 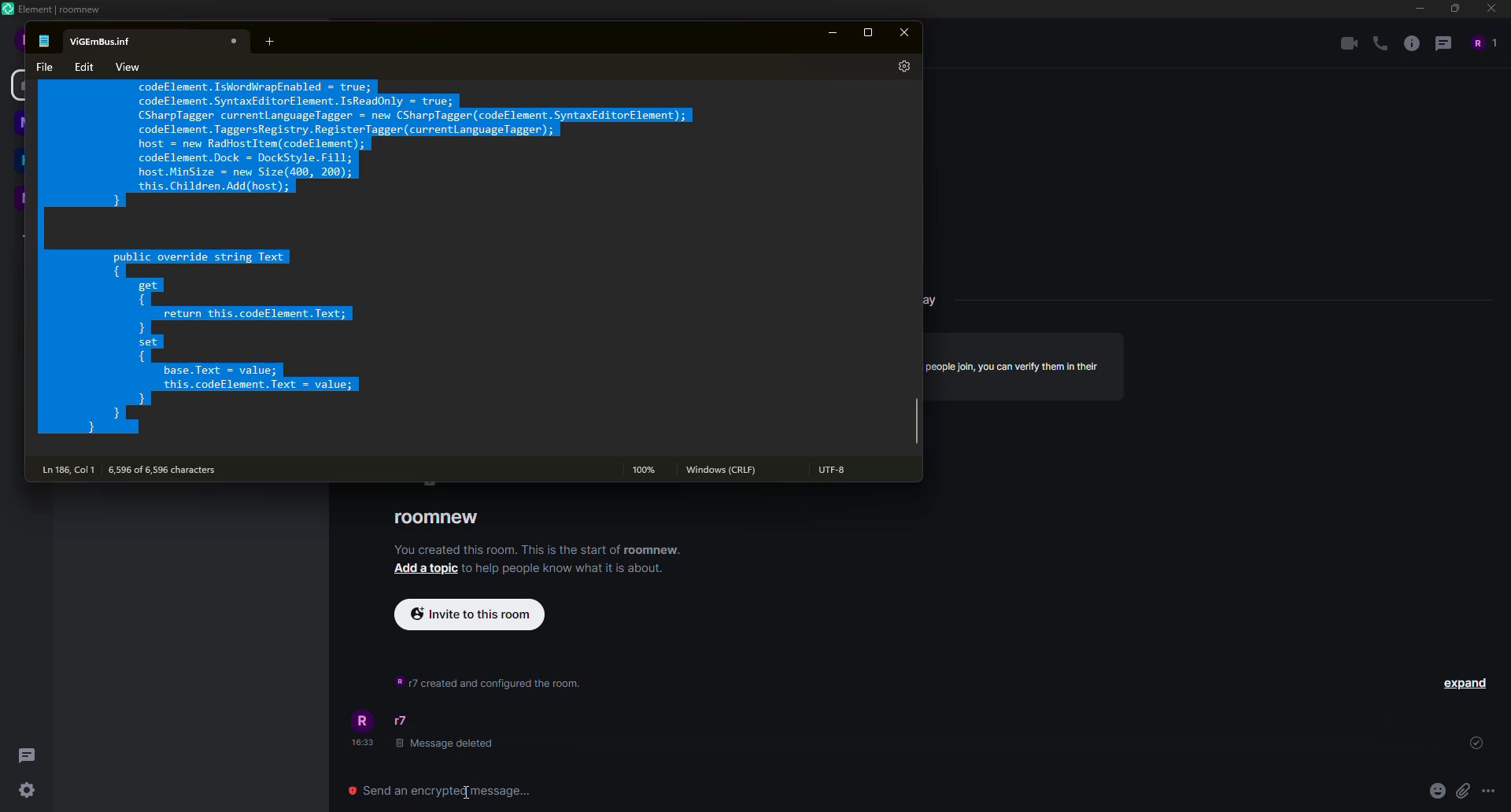 What do you see at coordinates (40, 66) in the screenshot?
I see `file` at bounding box center [40, 66].